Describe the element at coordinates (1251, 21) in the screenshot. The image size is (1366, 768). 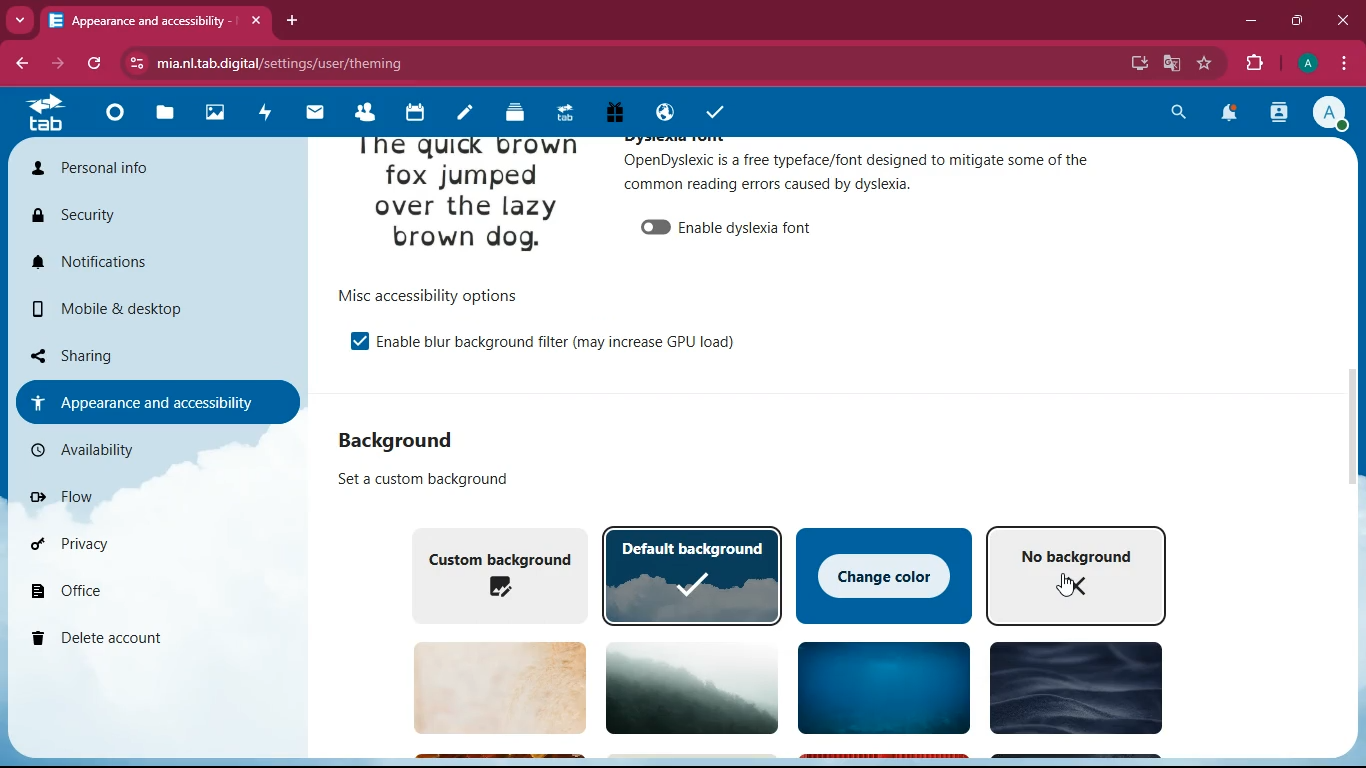
I see `minimize` at that location.